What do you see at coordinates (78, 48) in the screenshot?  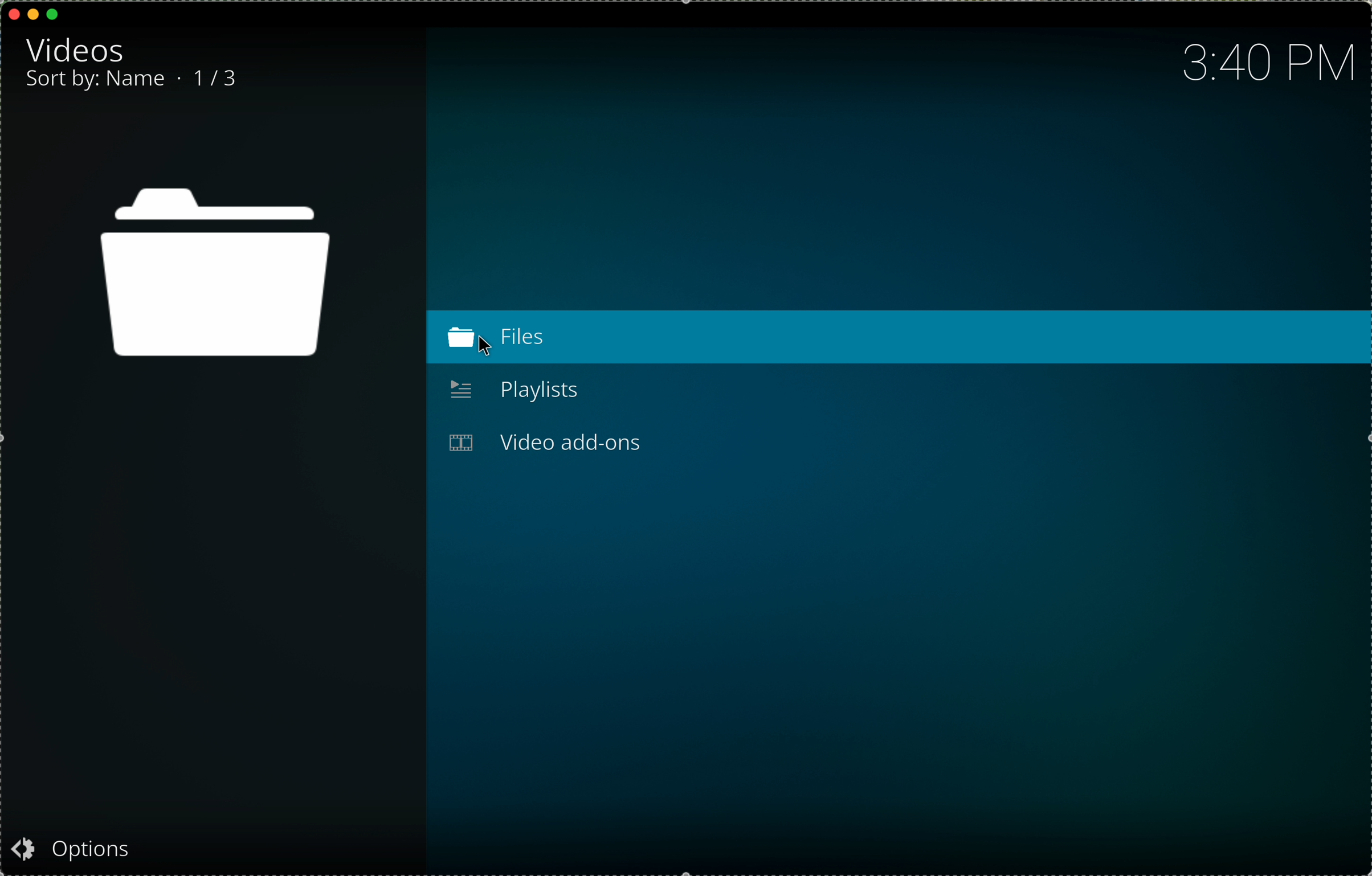 I see `videos` at bounding box center [78, 48].